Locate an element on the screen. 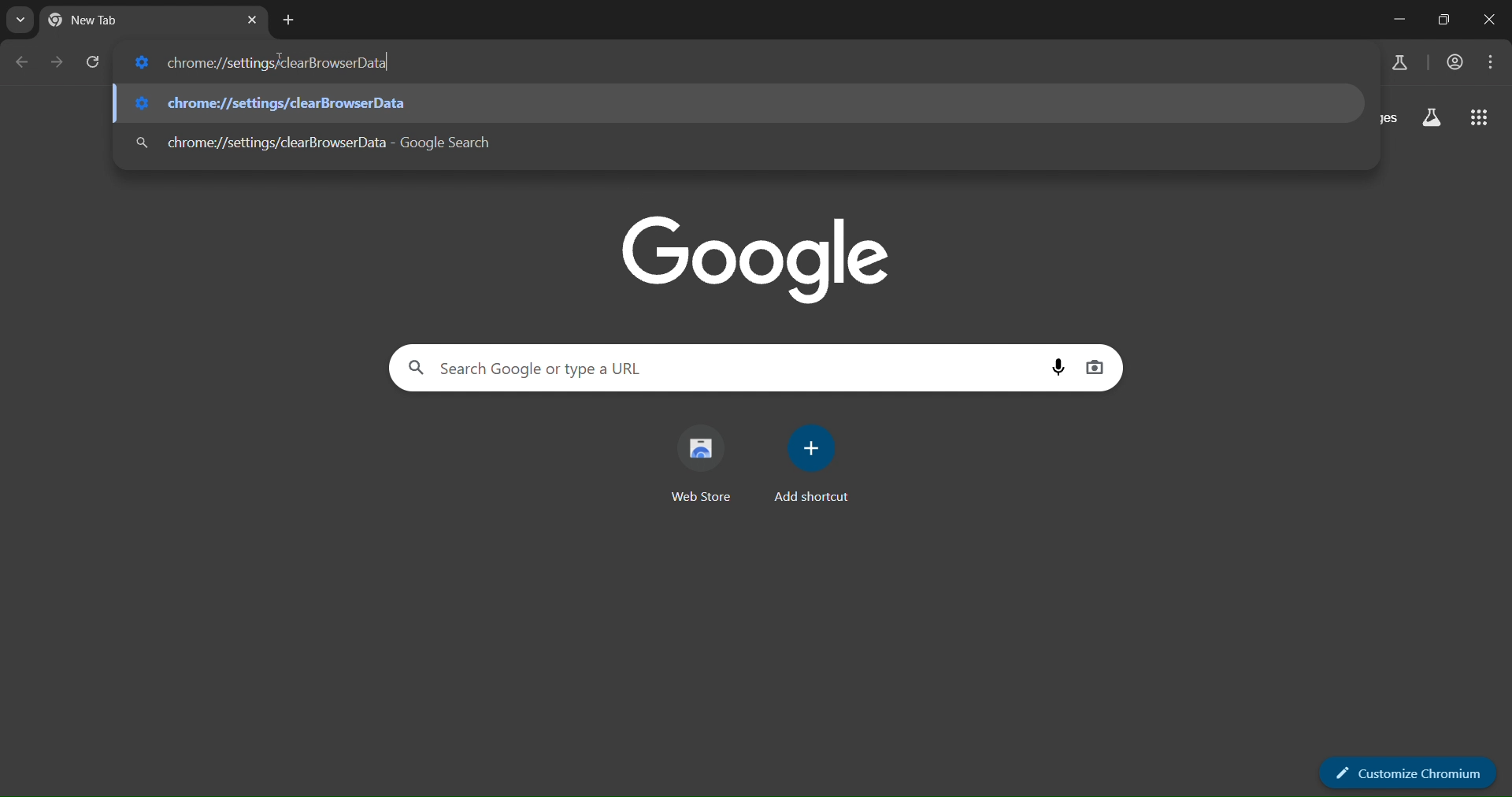 The height and width of the screenshot is (797, 1512). close tab is located at coordinates (254, 21).